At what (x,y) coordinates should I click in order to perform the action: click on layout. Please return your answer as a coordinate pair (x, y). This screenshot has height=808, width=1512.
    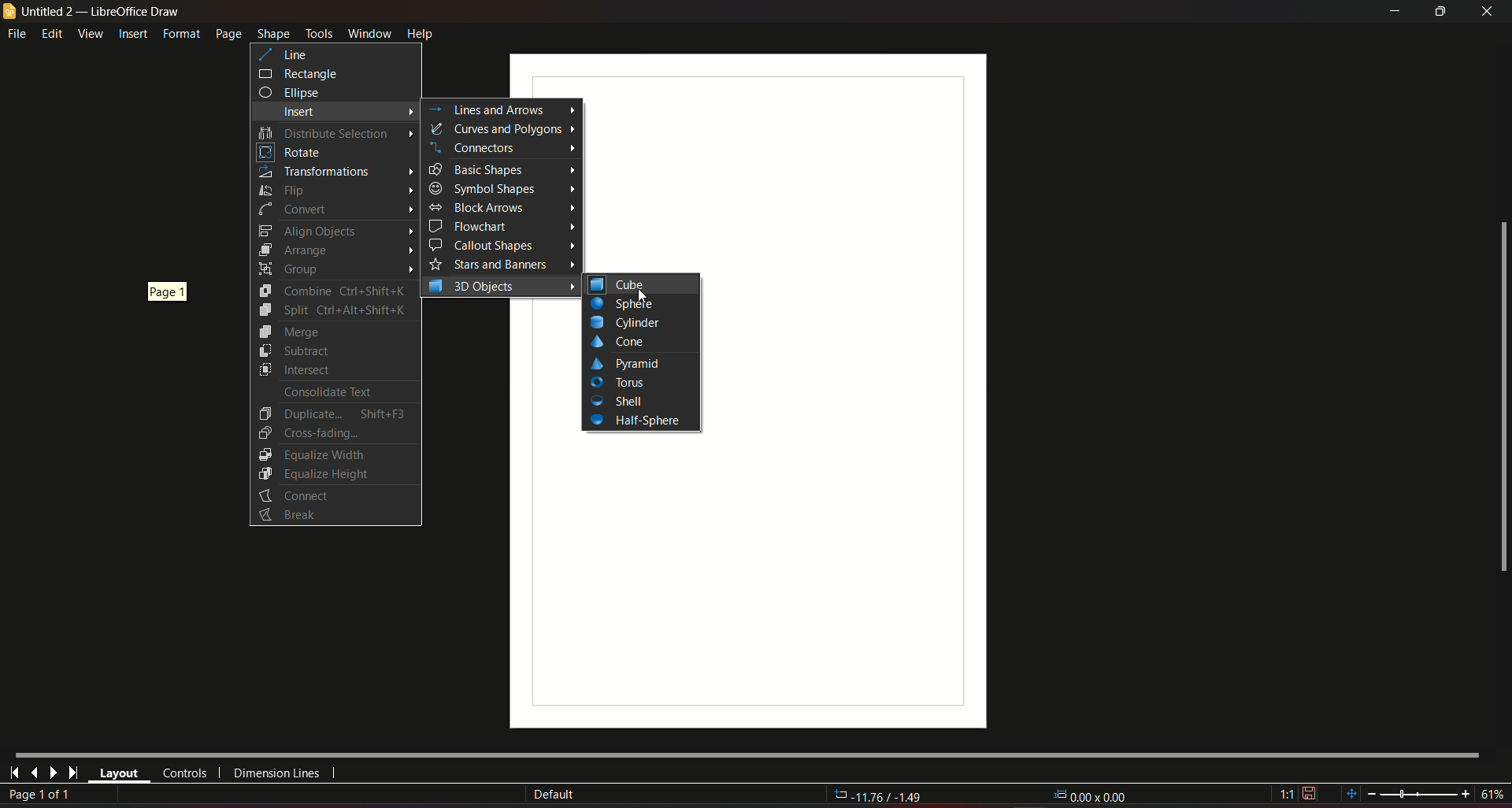
    Looking at the image, I should click on (119, 774).